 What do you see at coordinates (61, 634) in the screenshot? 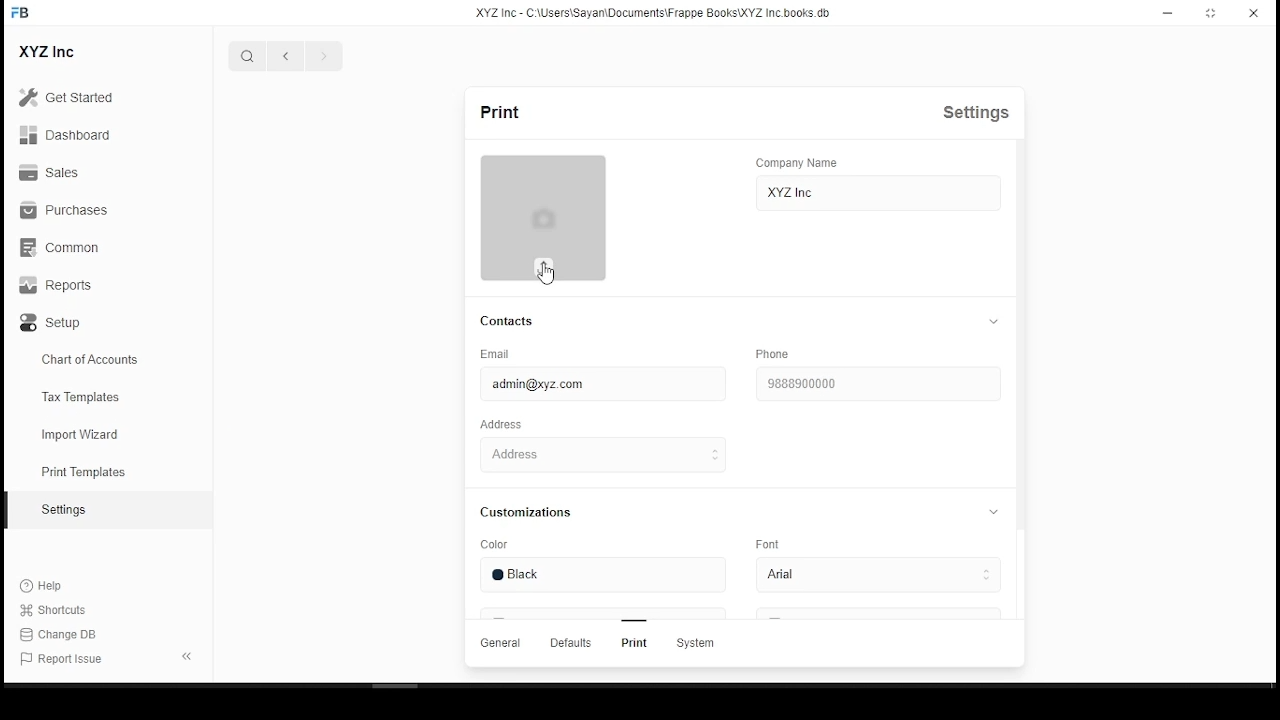
I see `Change DB` at bounding box center [61, 634].